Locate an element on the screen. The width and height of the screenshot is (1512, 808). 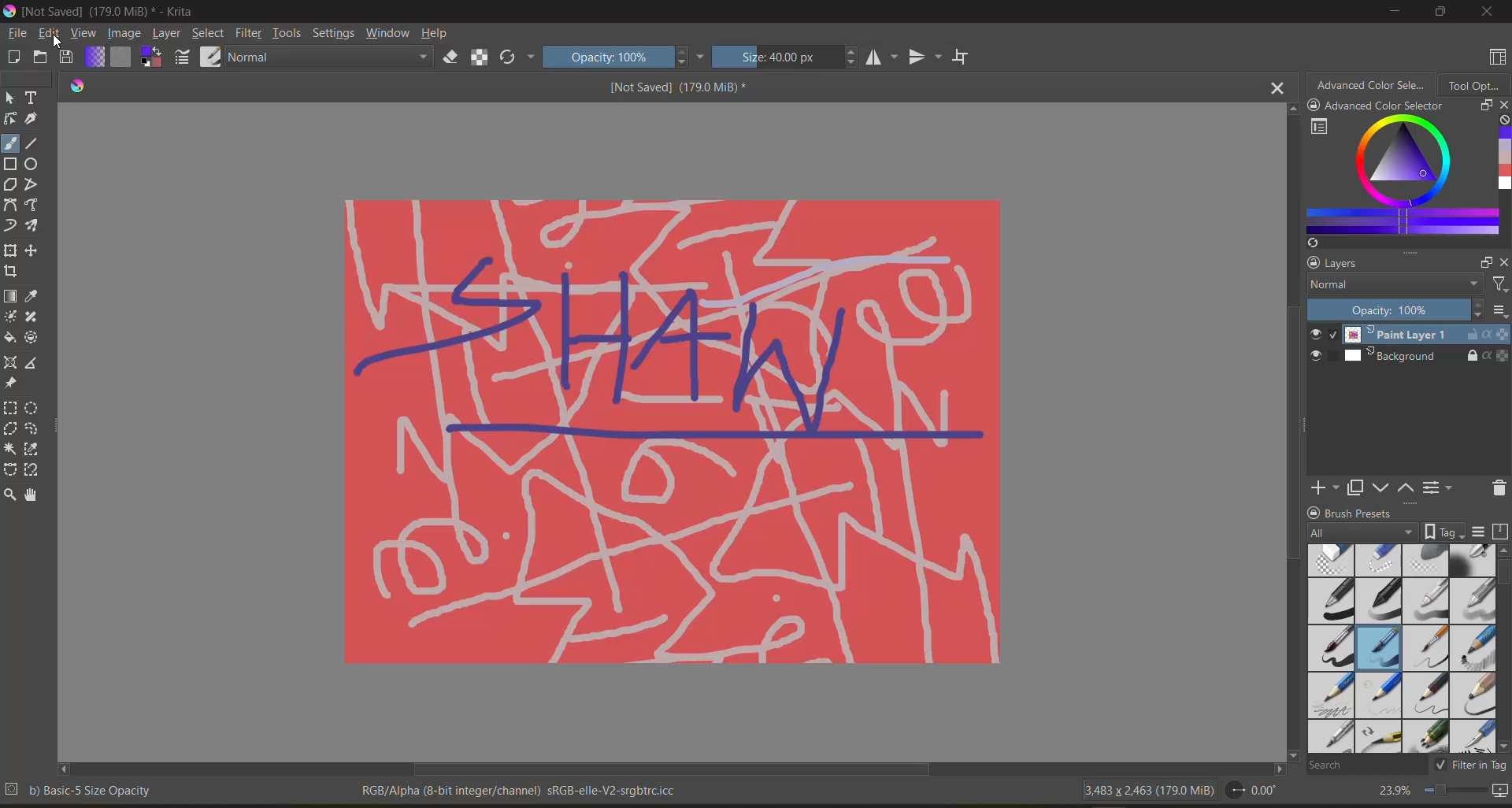
logo is located at coordinates (80, 87).